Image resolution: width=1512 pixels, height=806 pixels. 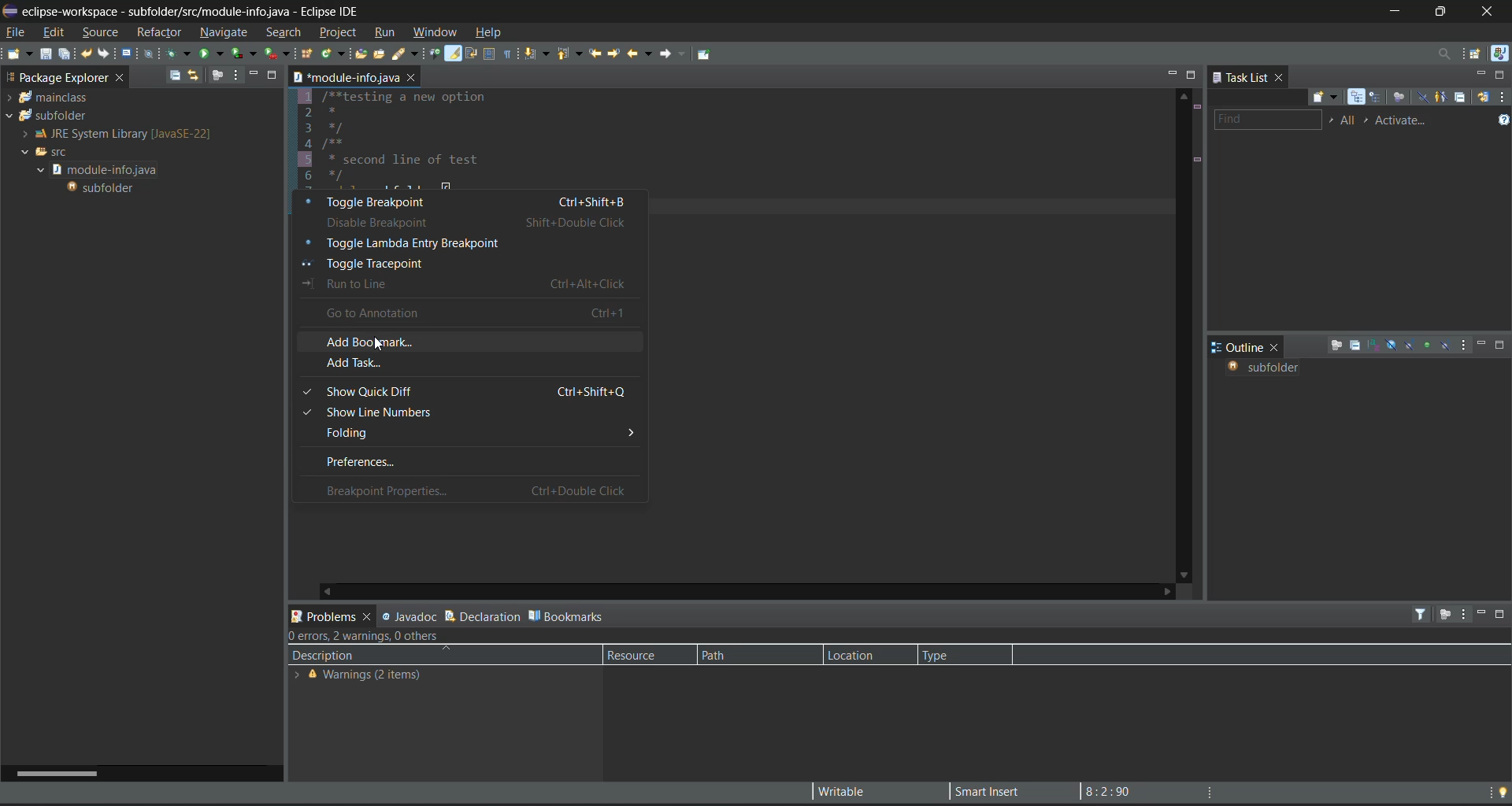 I want to click on outline, so click(x=1238, y=347).